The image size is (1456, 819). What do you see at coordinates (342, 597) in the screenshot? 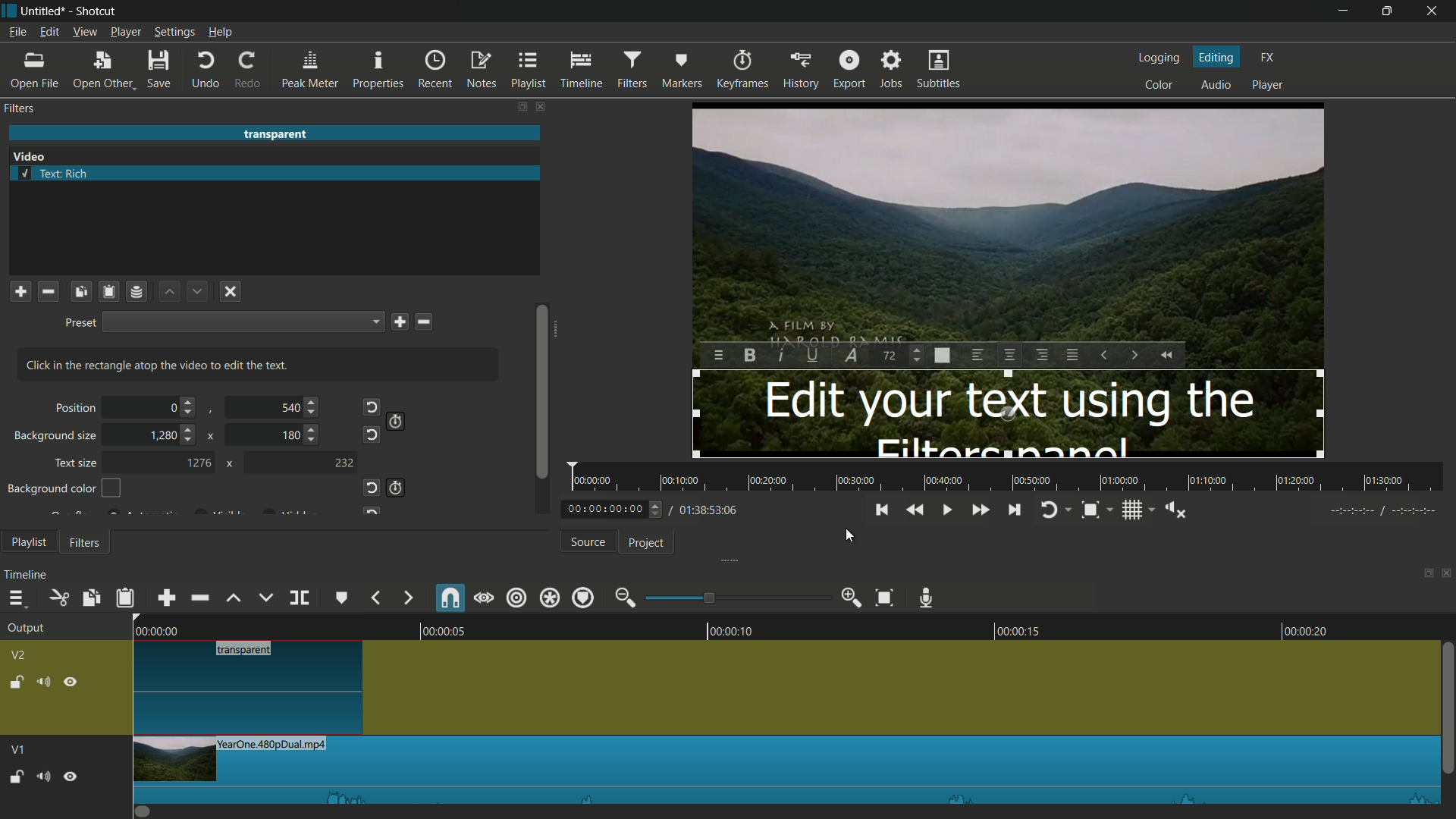
I see `create or edit marker` at bounding box center [342, 597].